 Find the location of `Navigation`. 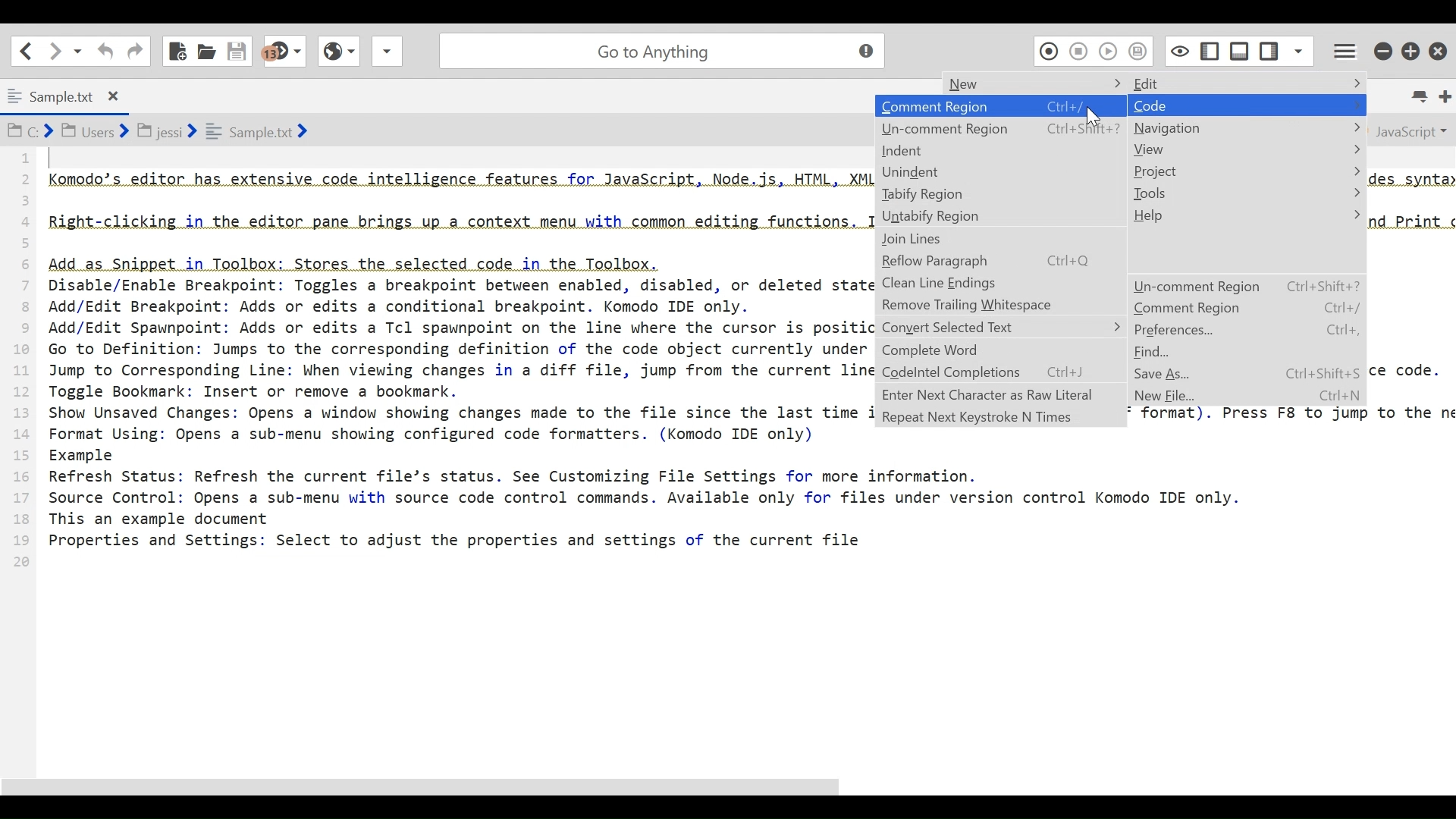

Navigation is located at coordinates (1246, 127).